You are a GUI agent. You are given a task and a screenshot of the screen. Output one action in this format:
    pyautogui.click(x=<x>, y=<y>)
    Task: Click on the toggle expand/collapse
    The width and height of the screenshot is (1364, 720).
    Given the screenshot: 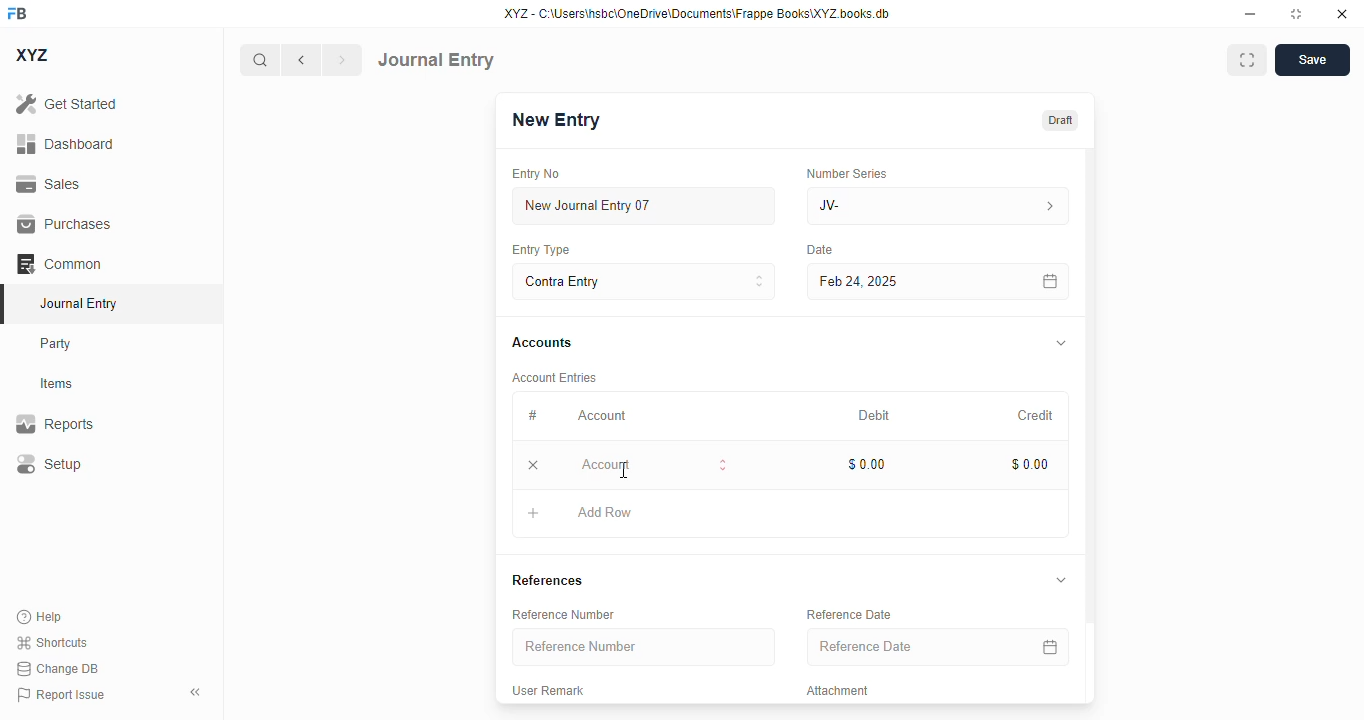 What is the action you would take?
    pyautogui.click(x=1062, y=342)
    